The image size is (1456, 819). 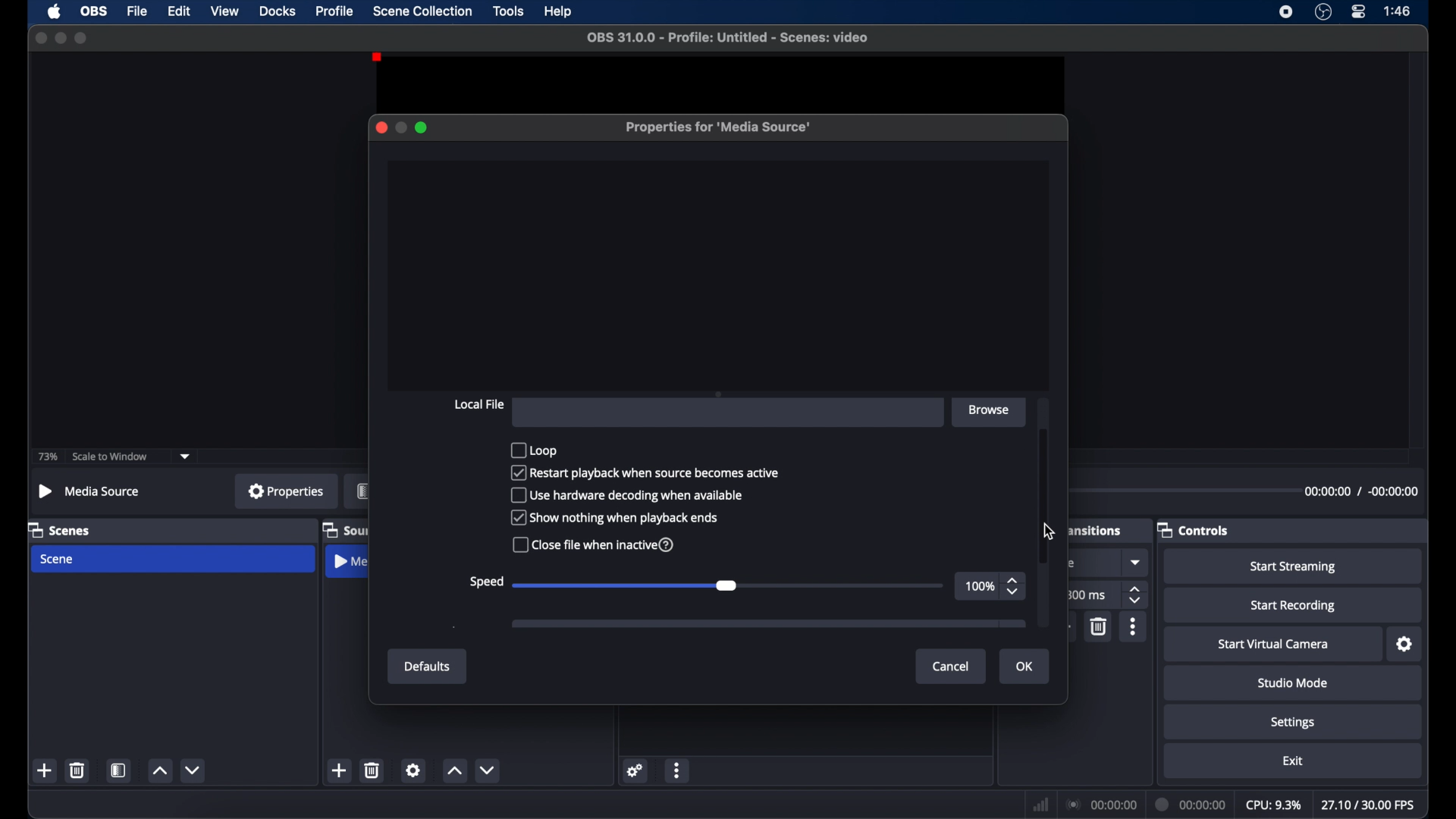 I want to click on obscure label, so click(x=362, y=491).